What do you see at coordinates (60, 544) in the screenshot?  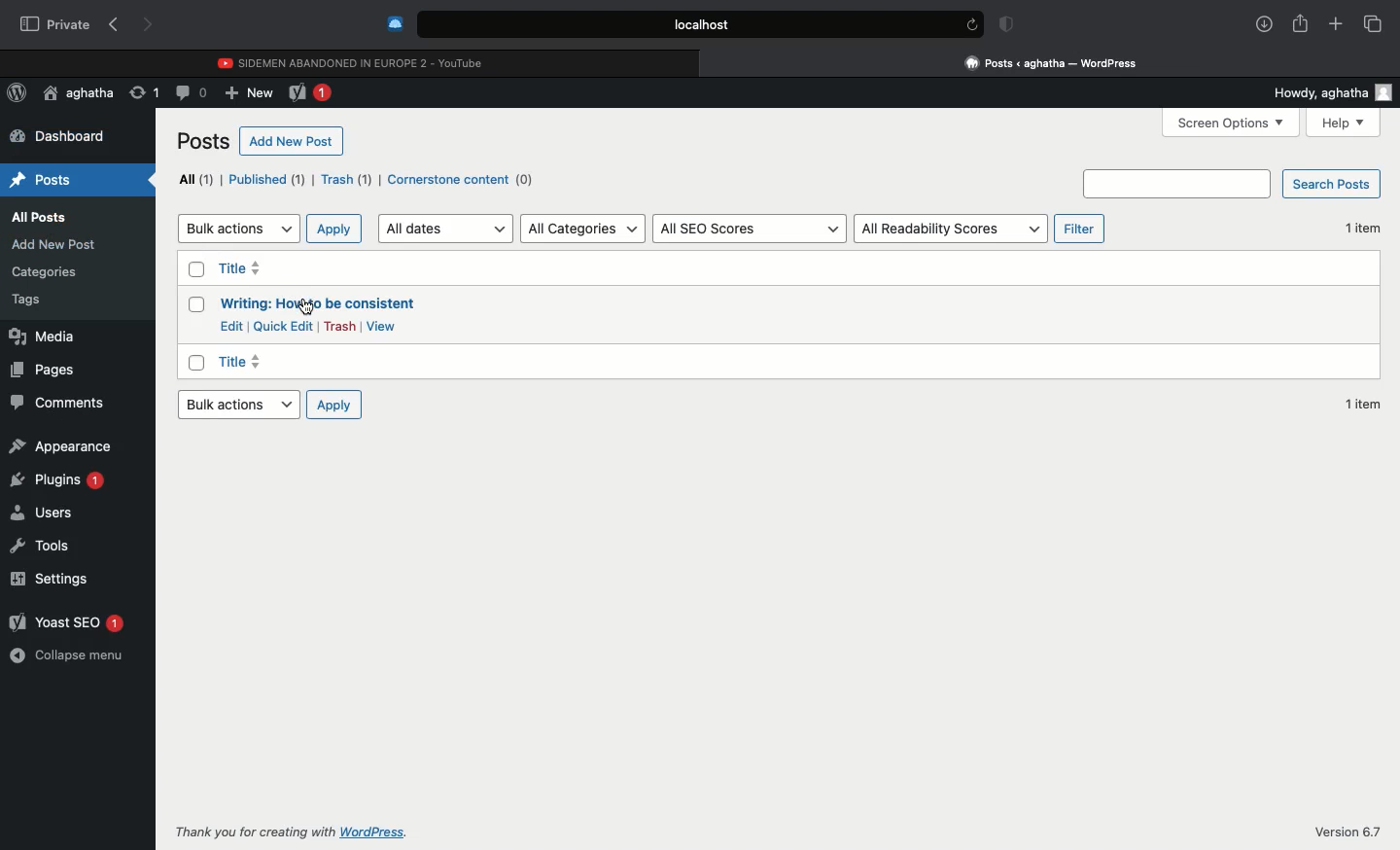 I see `tools` at bounding box center [60, 544].